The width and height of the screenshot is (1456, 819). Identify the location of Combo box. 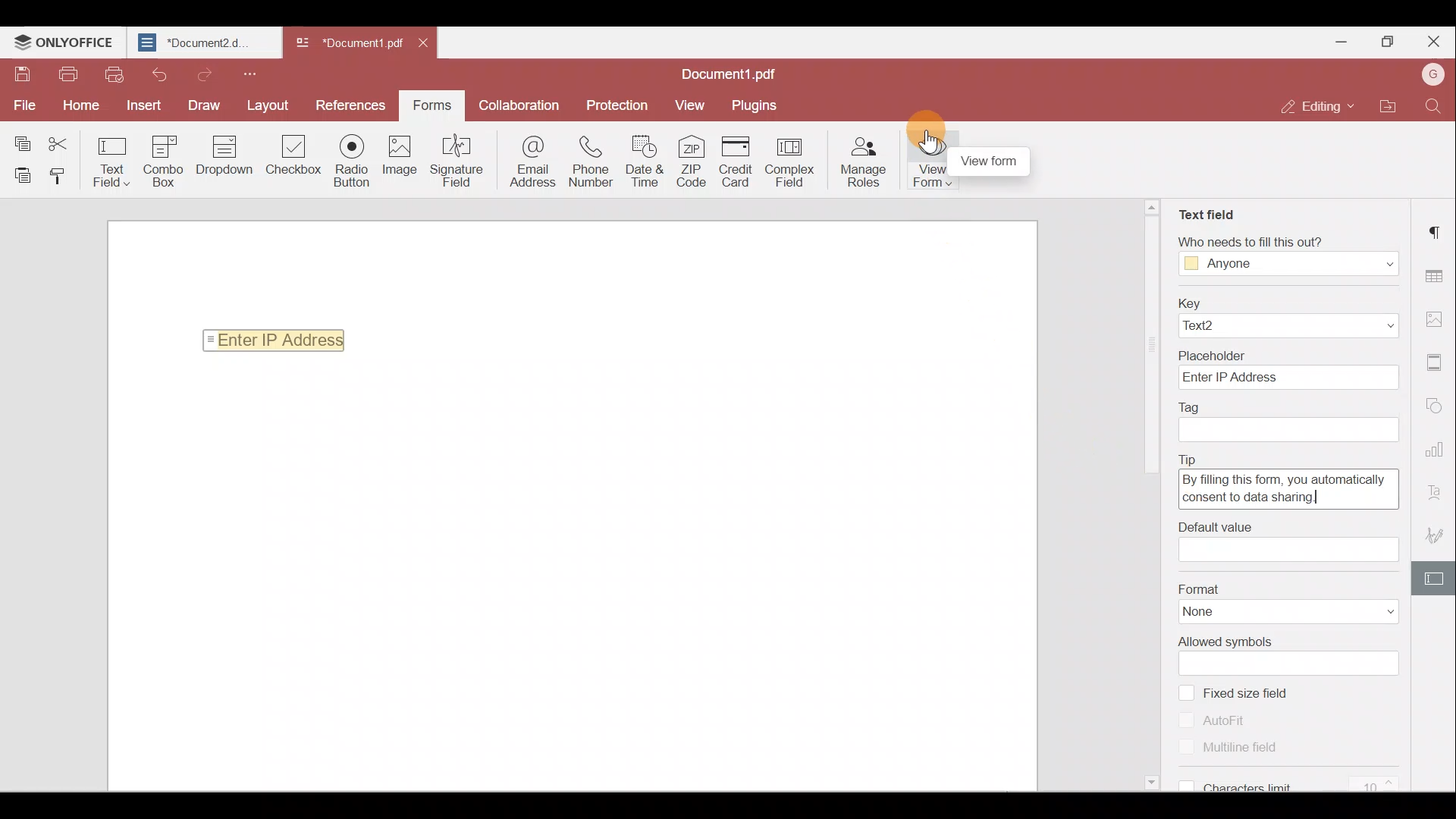
(168, 158).